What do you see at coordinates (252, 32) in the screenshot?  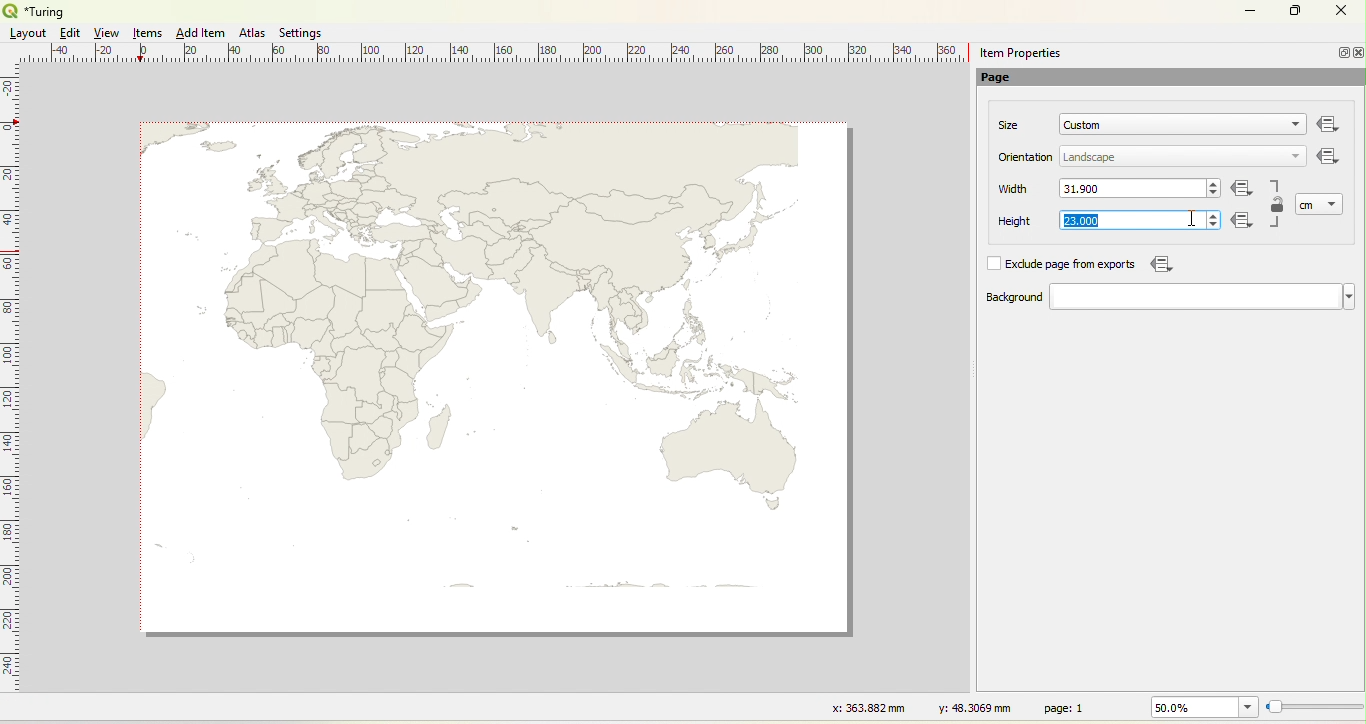 I see `Atlas` at bounding box center [252, 32].